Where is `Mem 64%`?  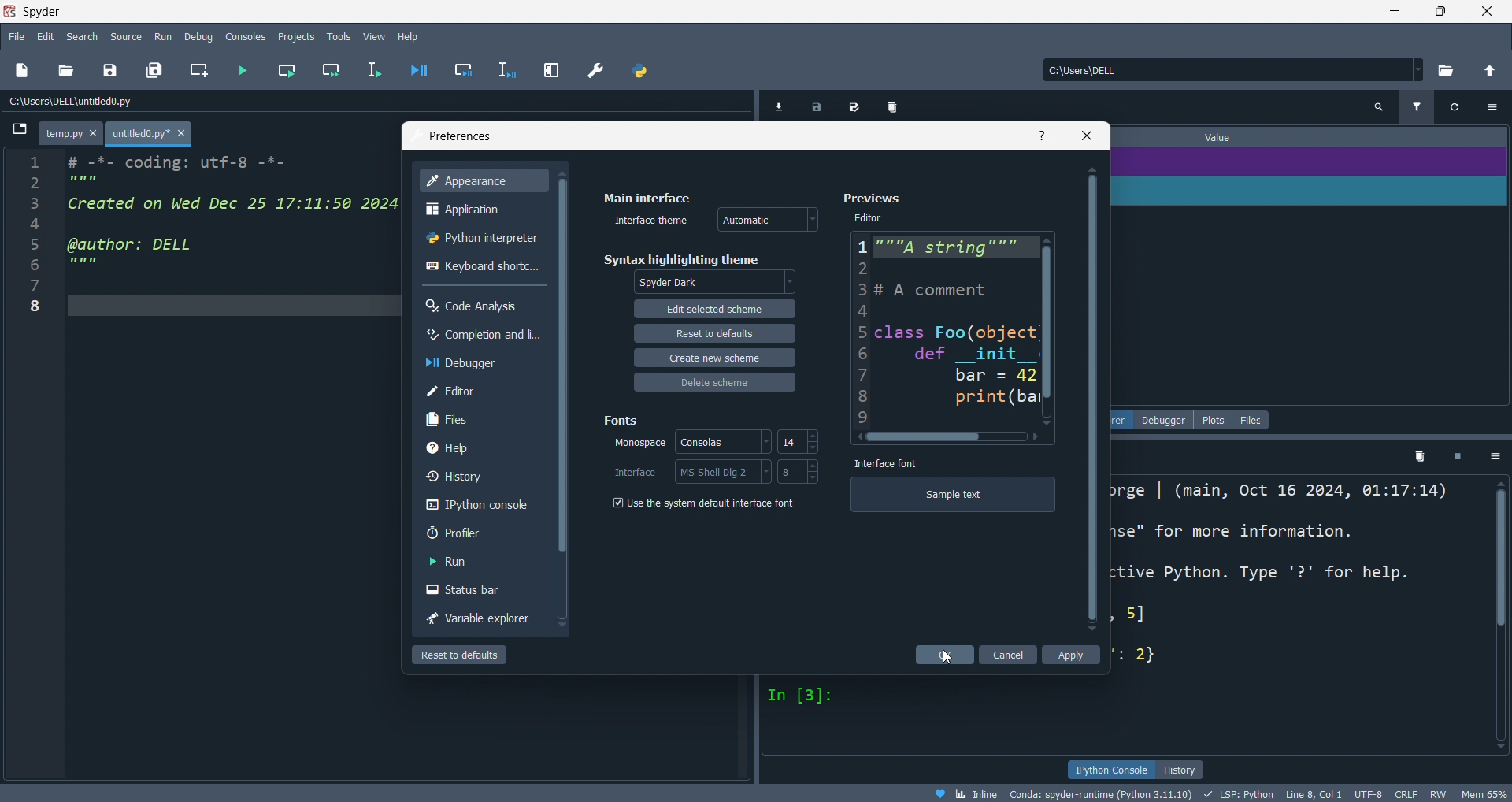
Mem 64% is located at coordinates (1484, 793).